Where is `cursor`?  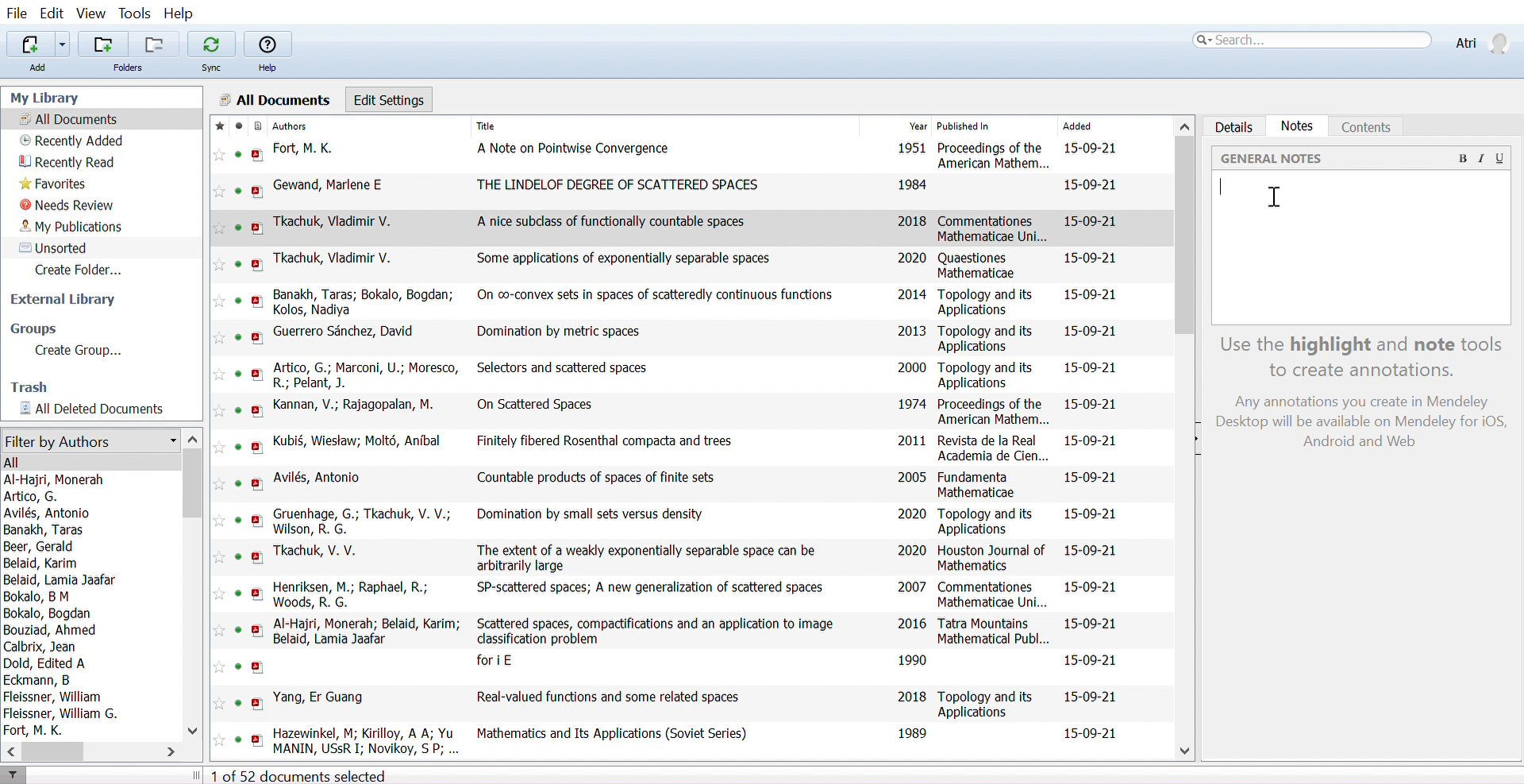
cursor is located at coordinates (1276, 197).